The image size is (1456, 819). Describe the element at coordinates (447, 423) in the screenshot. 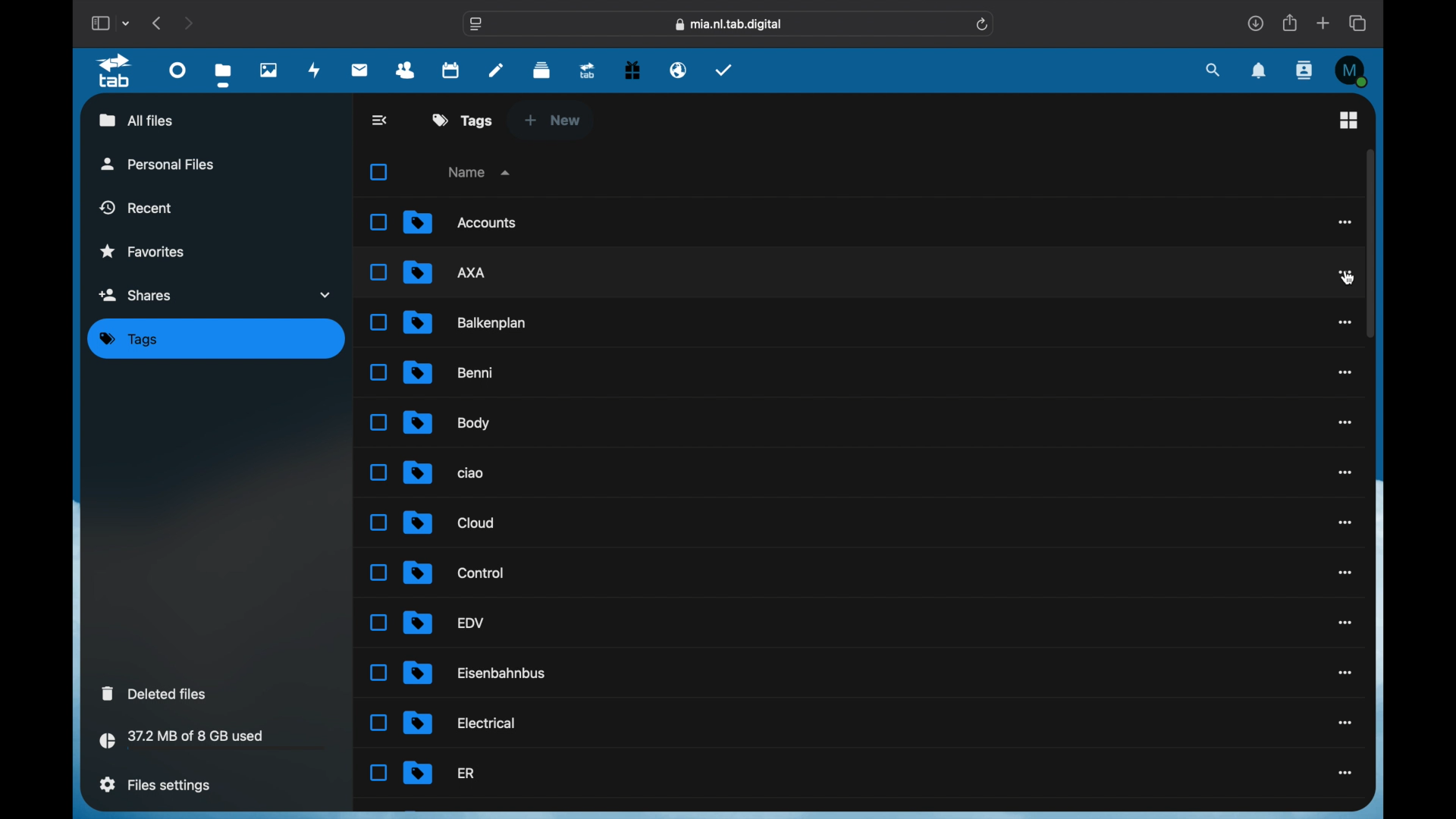

I see `file` at that location.